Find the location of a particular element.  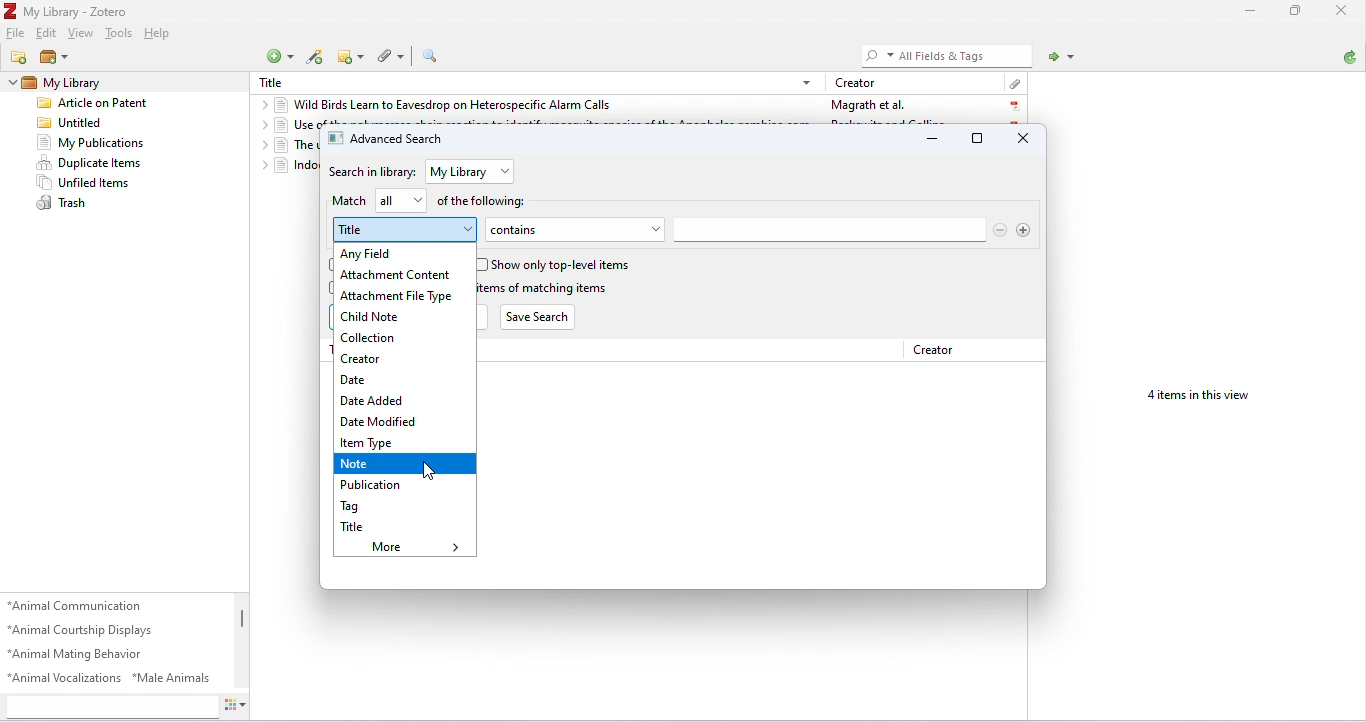

my publications is located at coordinates (90, 143).